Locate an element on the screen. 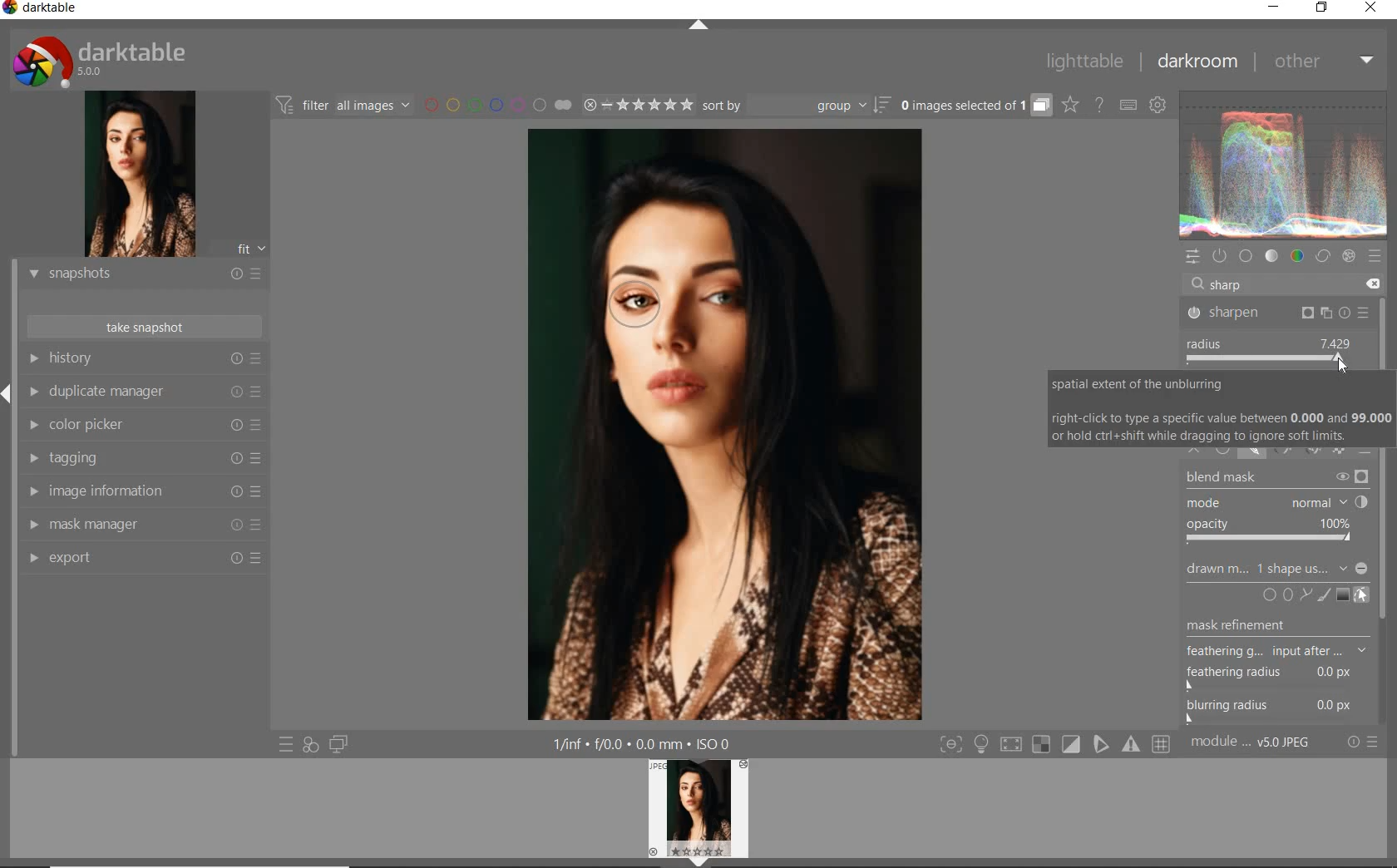  quick access to presets is located at coordinates (287, 744).